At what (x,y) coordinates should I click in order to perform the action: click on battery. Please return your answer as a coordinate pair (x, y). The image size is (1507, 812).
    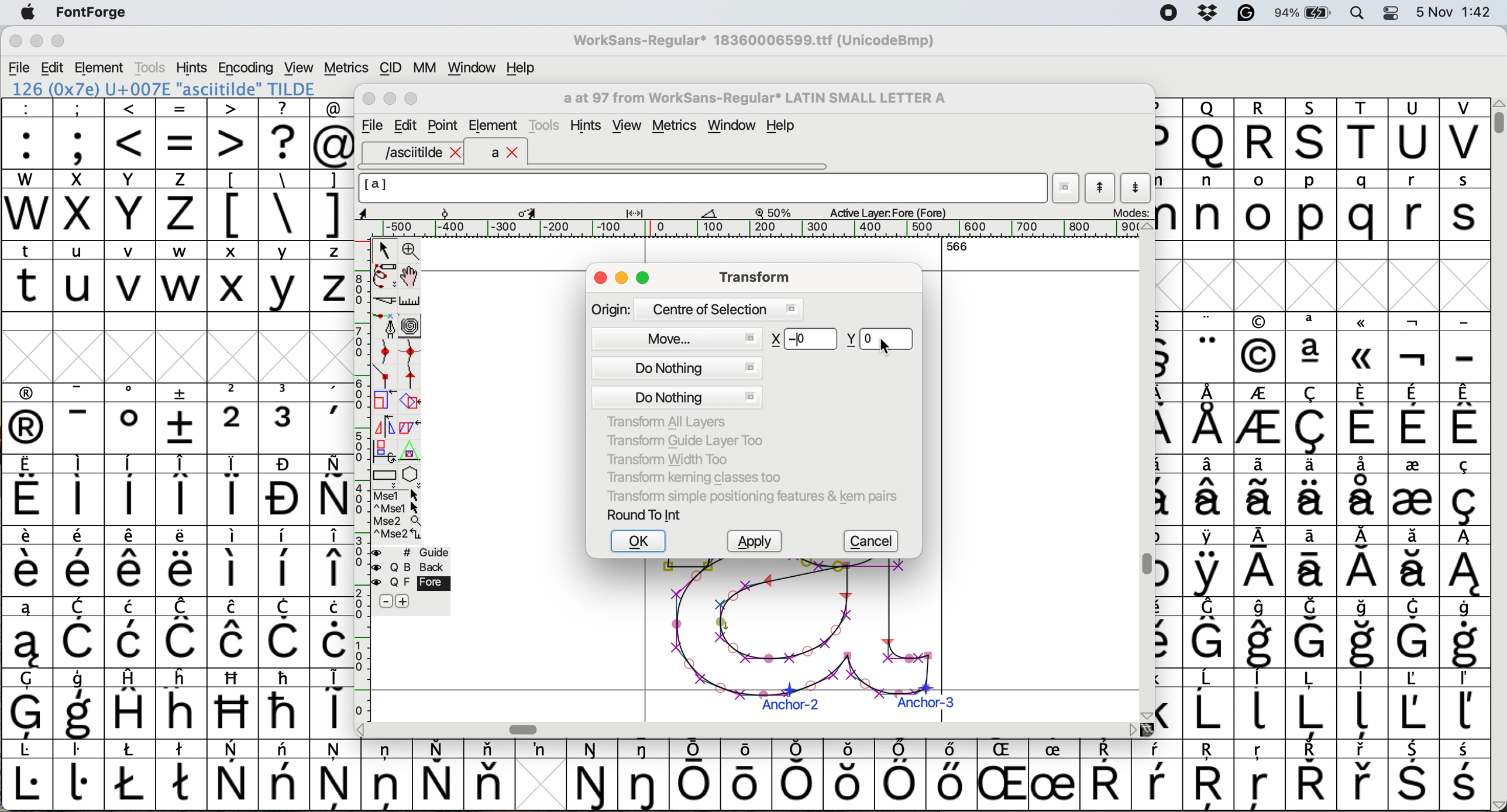
    Looking at the image, I should click on (1308, 12).